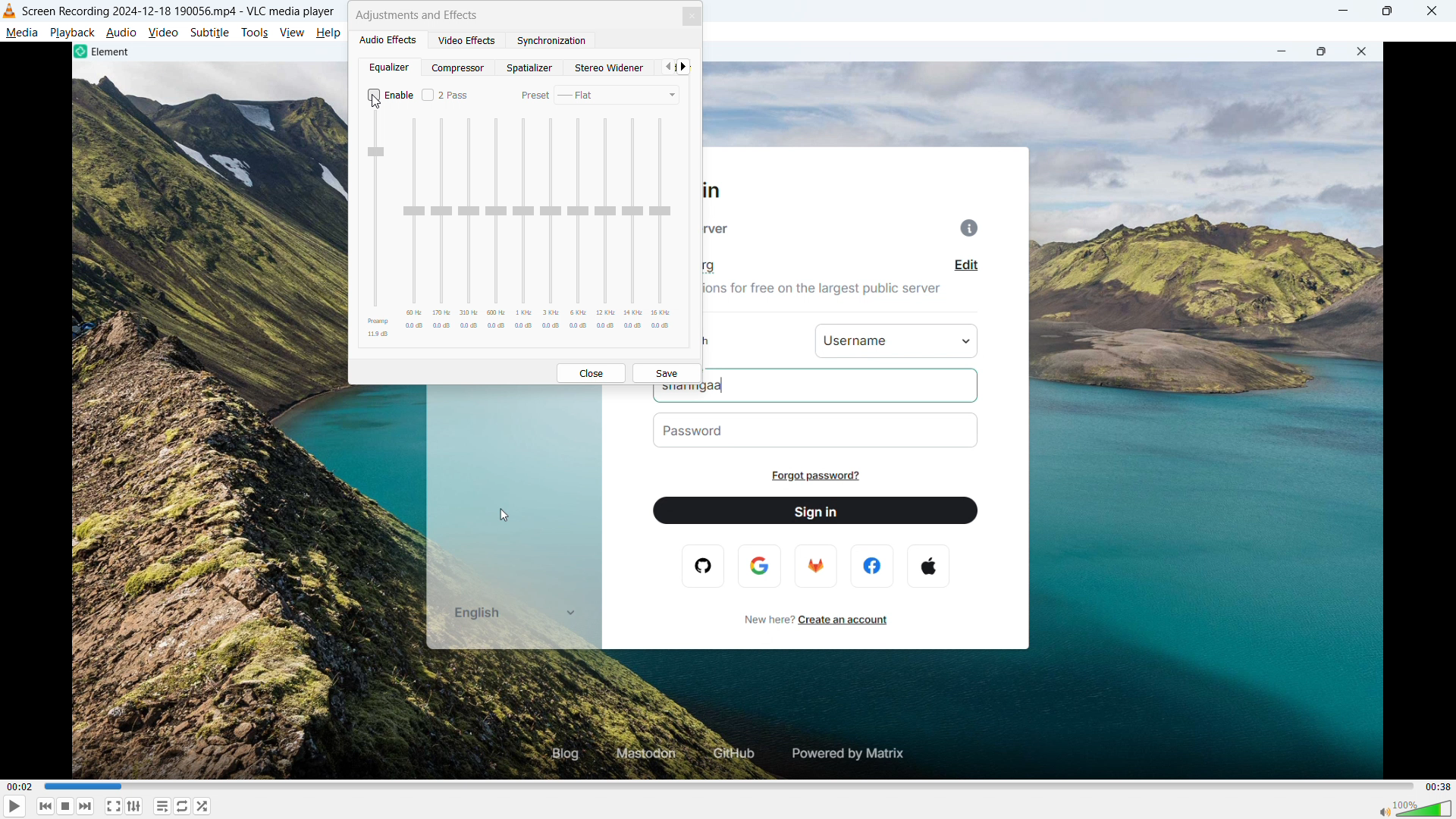  Describe the element at coordinates (632, 224) in the screenshot. I see `Adjust 14 kilohertz ` at that location.